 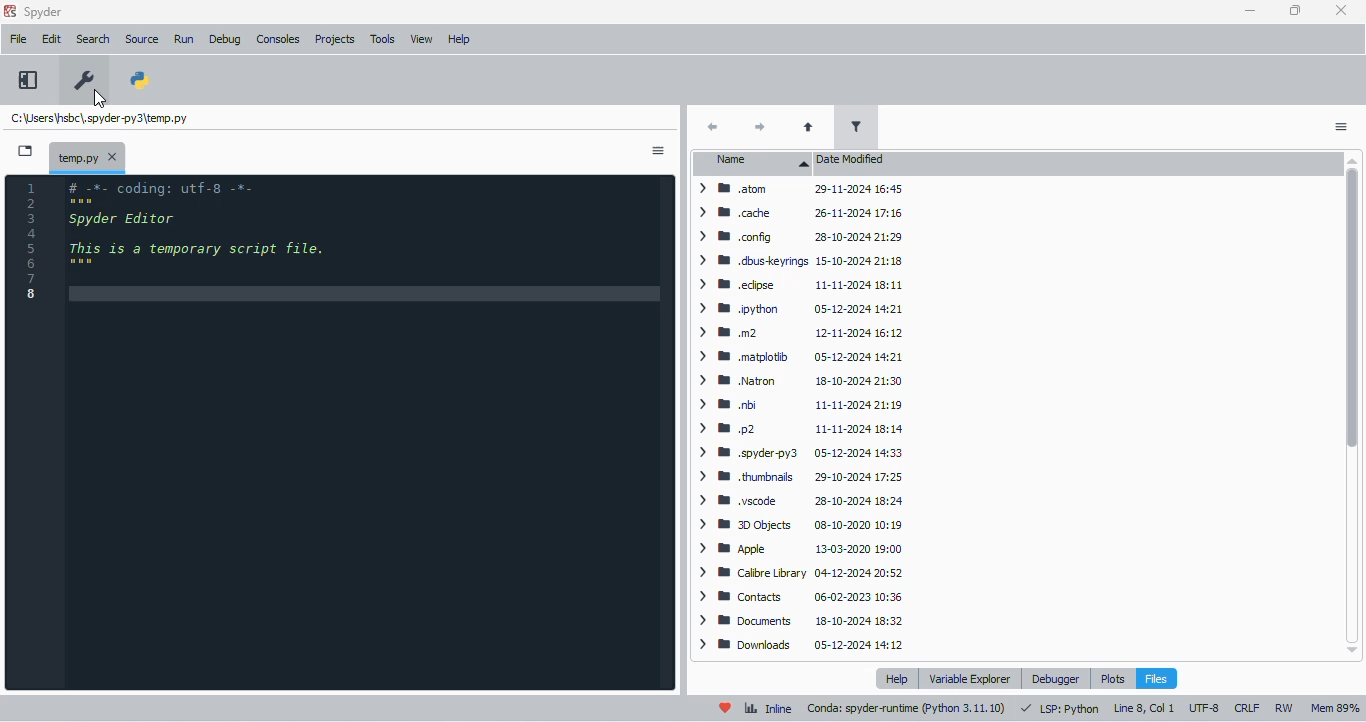 What do you see at coordinates (752, 160) in the screenshot?
I see `name` at bounding box center [752, 160].